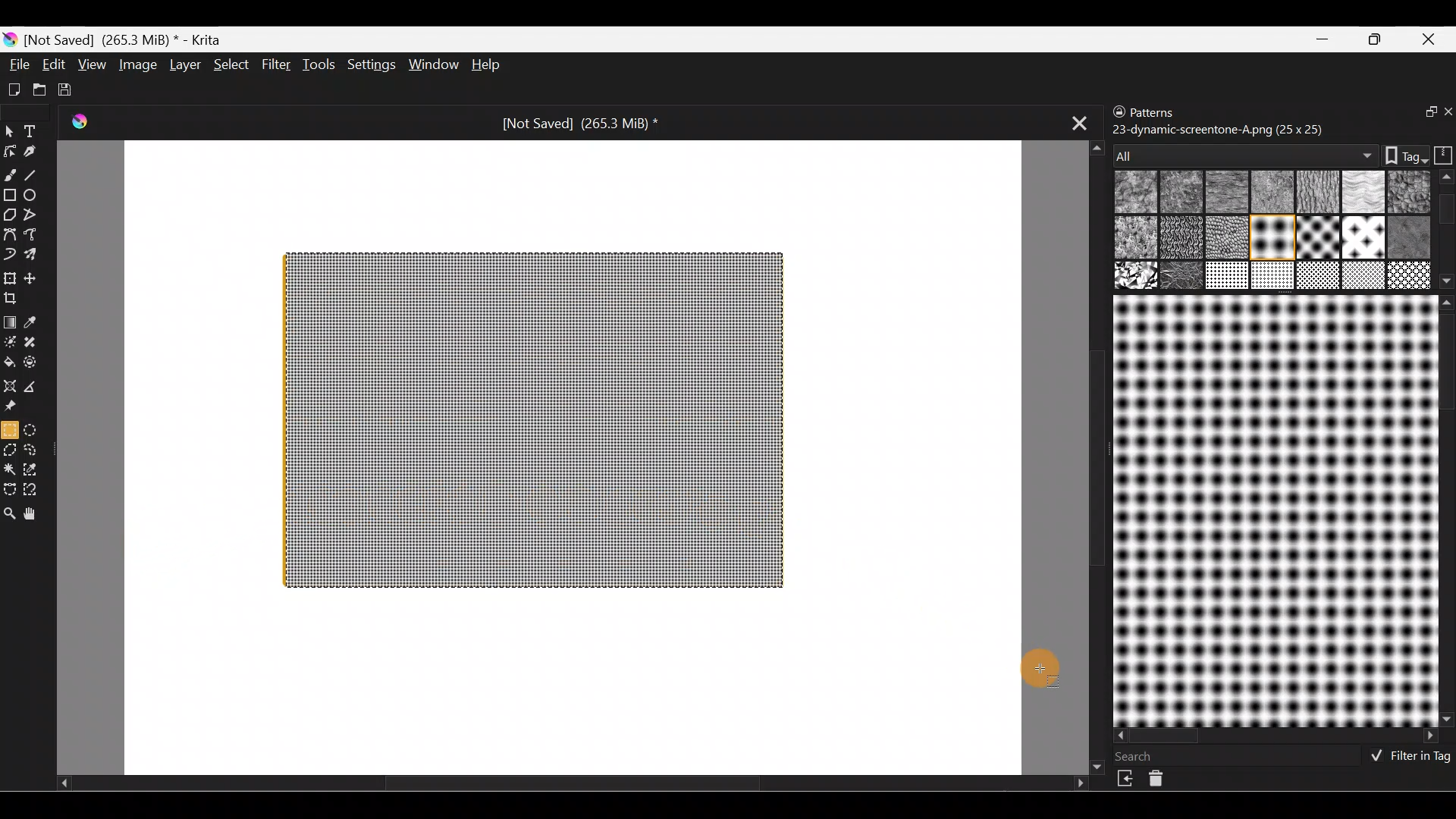 This screenshot has height=819, width=1456. What do you see at coordinates (1360, 237) in the screenshot?
I see `12 drawed_vertical.png` at bounding box center [1360, 237].